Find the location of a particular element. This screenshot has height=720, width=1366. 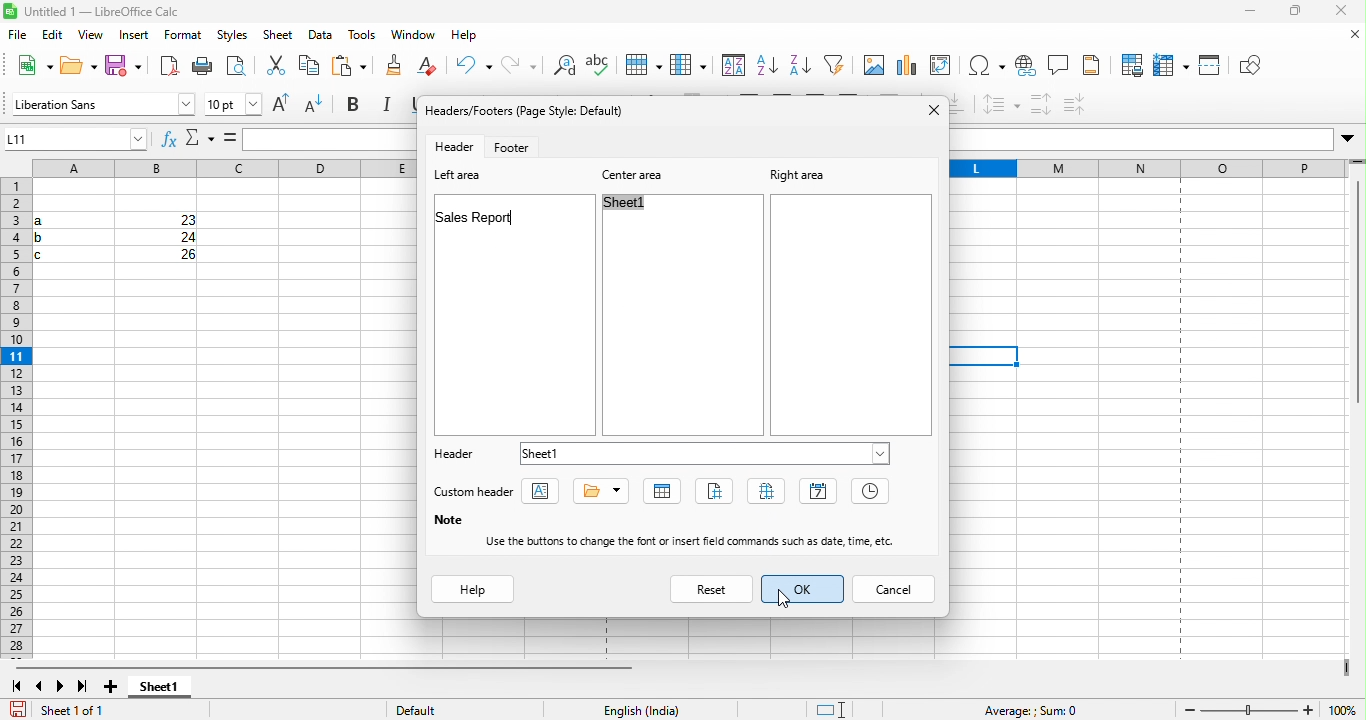

font name is located at coordinates (102, 104).